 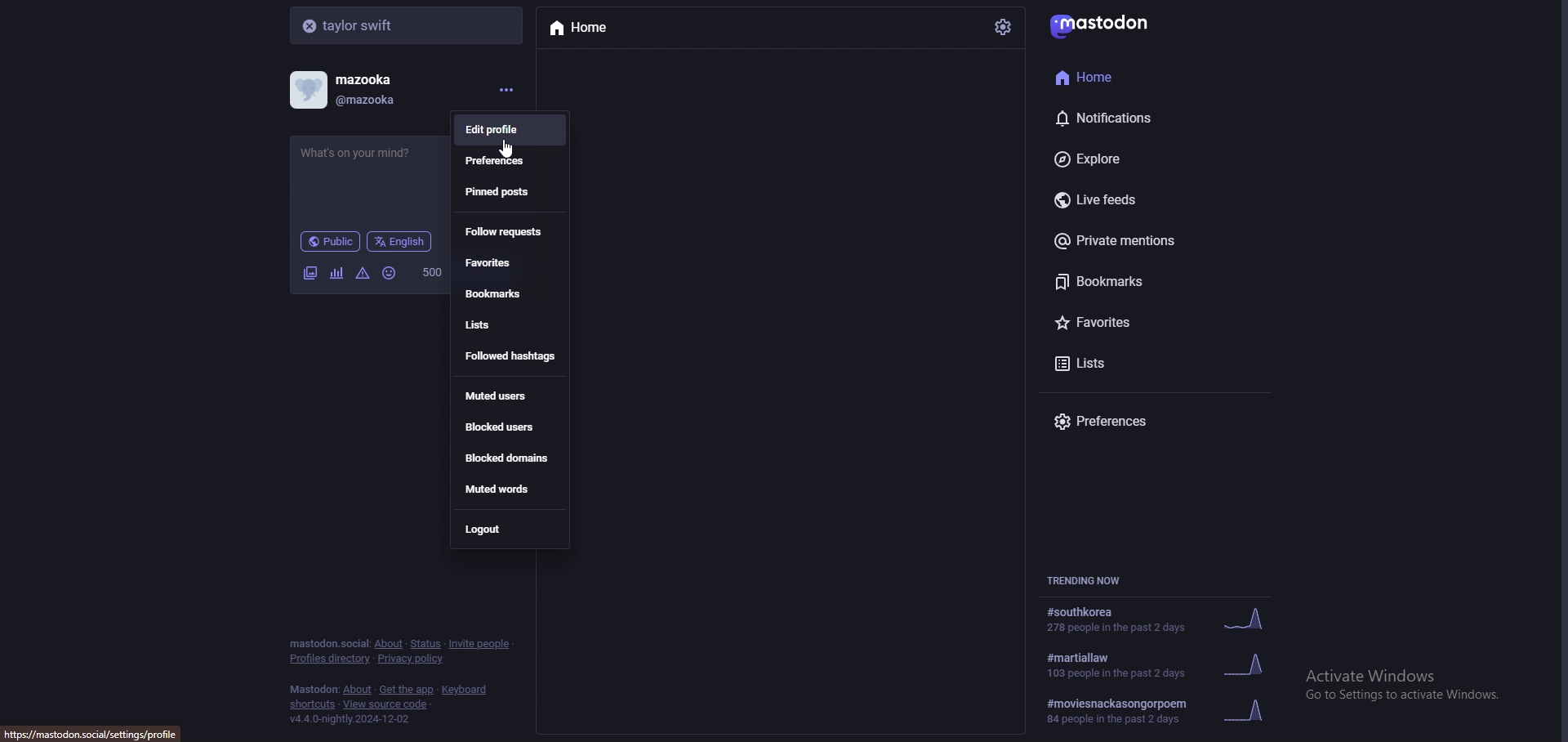 What do you see at coordinates (1145, 239) in the screenshot?
I see `private mentions` at bounding box center [1145, 239].